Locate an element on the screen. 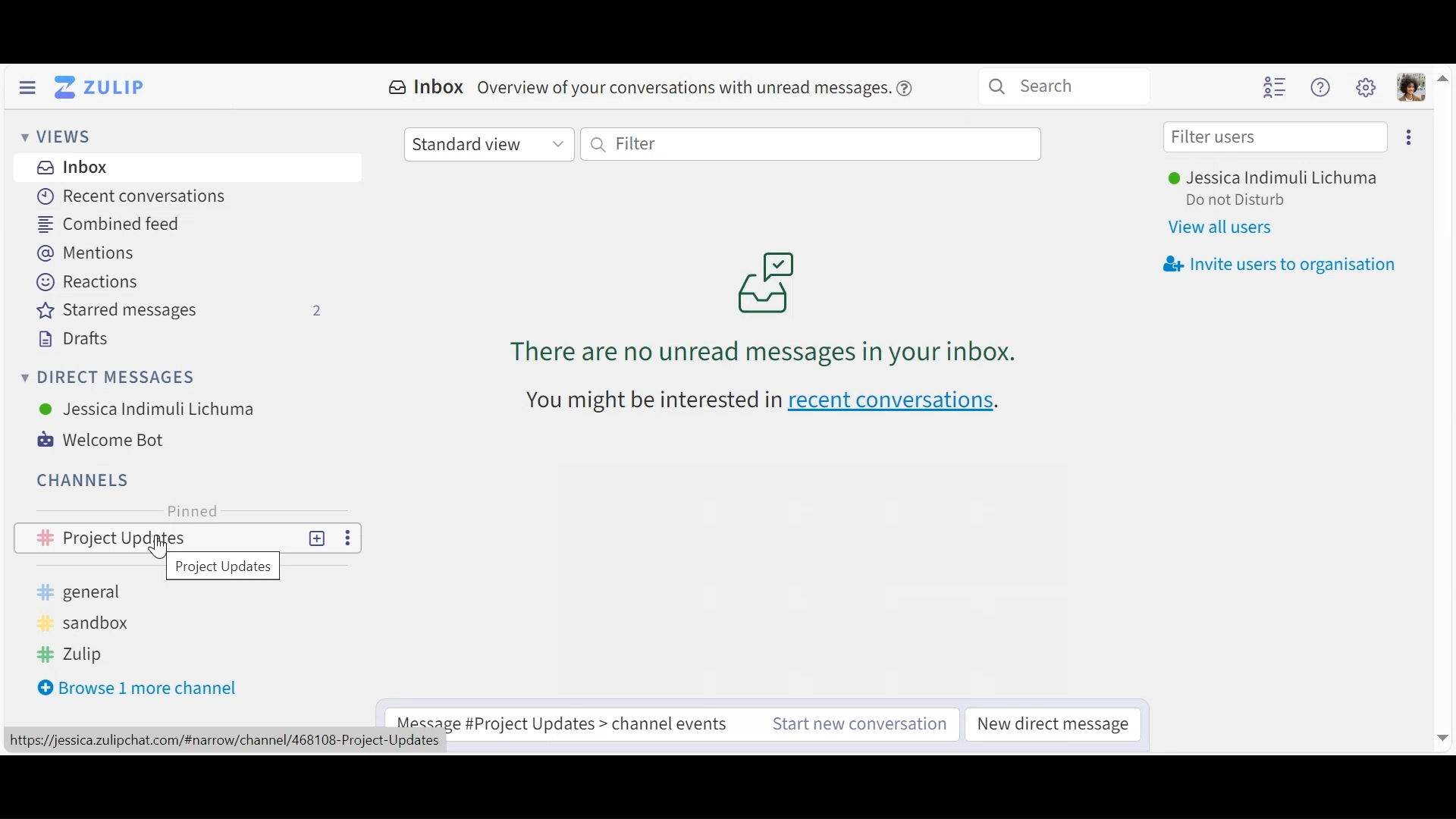  Direct Messages is located at coordinates (108, 378).